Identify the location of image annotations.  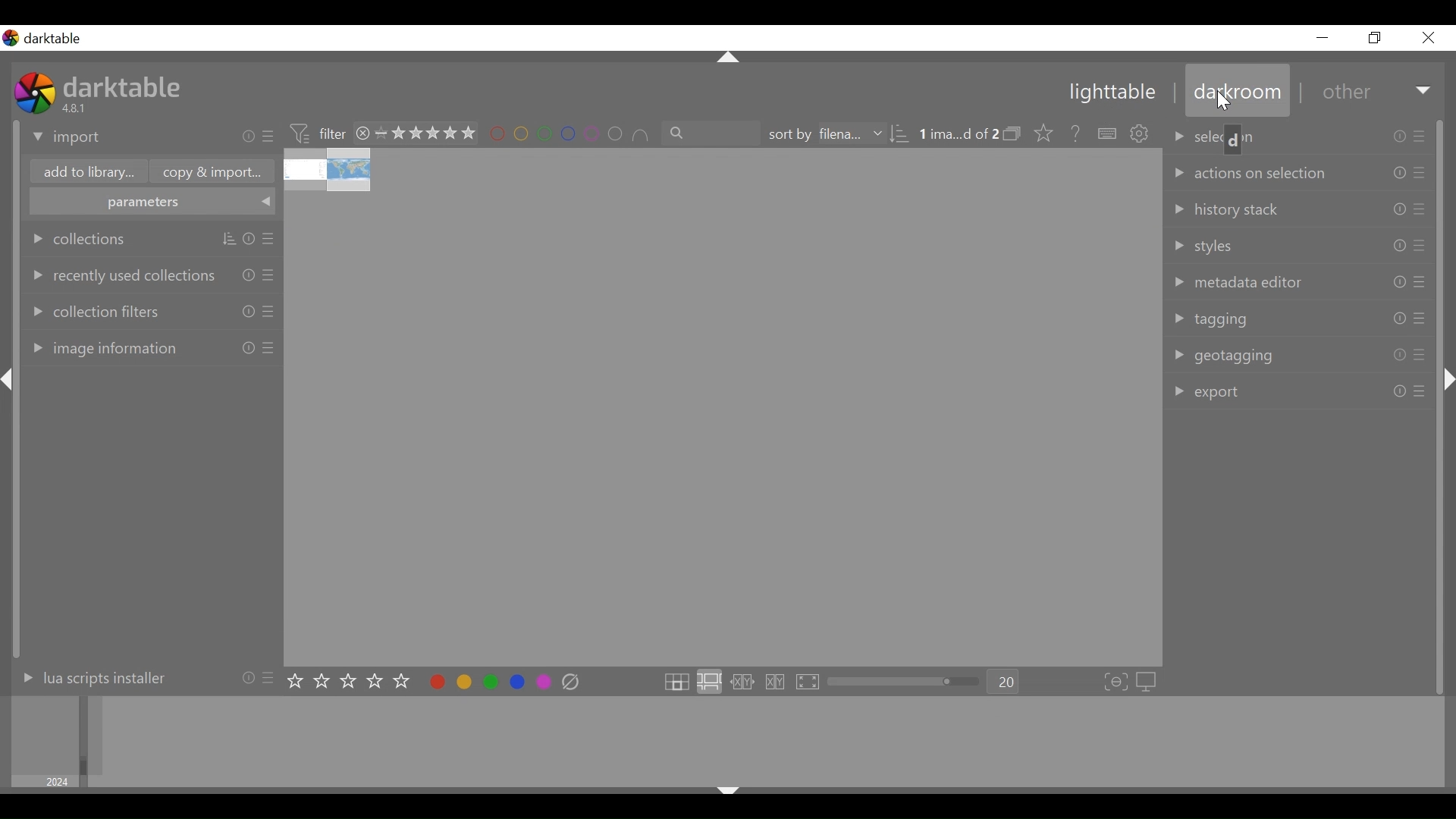
(108, 349).